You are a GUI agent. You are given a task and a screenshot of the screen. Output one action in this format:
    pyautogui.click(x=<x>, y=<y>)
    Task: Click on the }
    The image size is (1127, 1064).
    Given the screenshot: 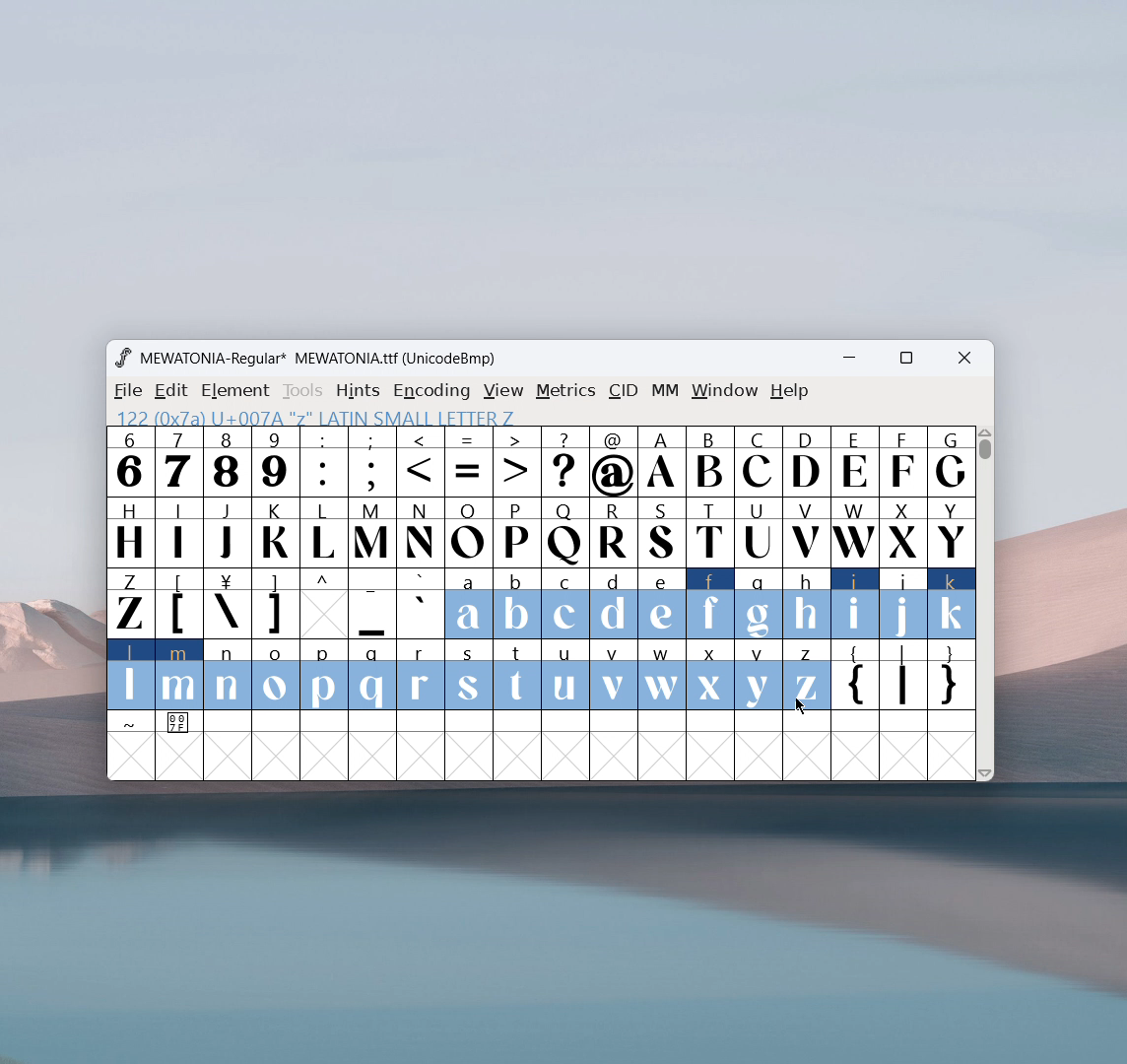 What is the action you would take?
    pyautogui.click(x=953, y=677)
    